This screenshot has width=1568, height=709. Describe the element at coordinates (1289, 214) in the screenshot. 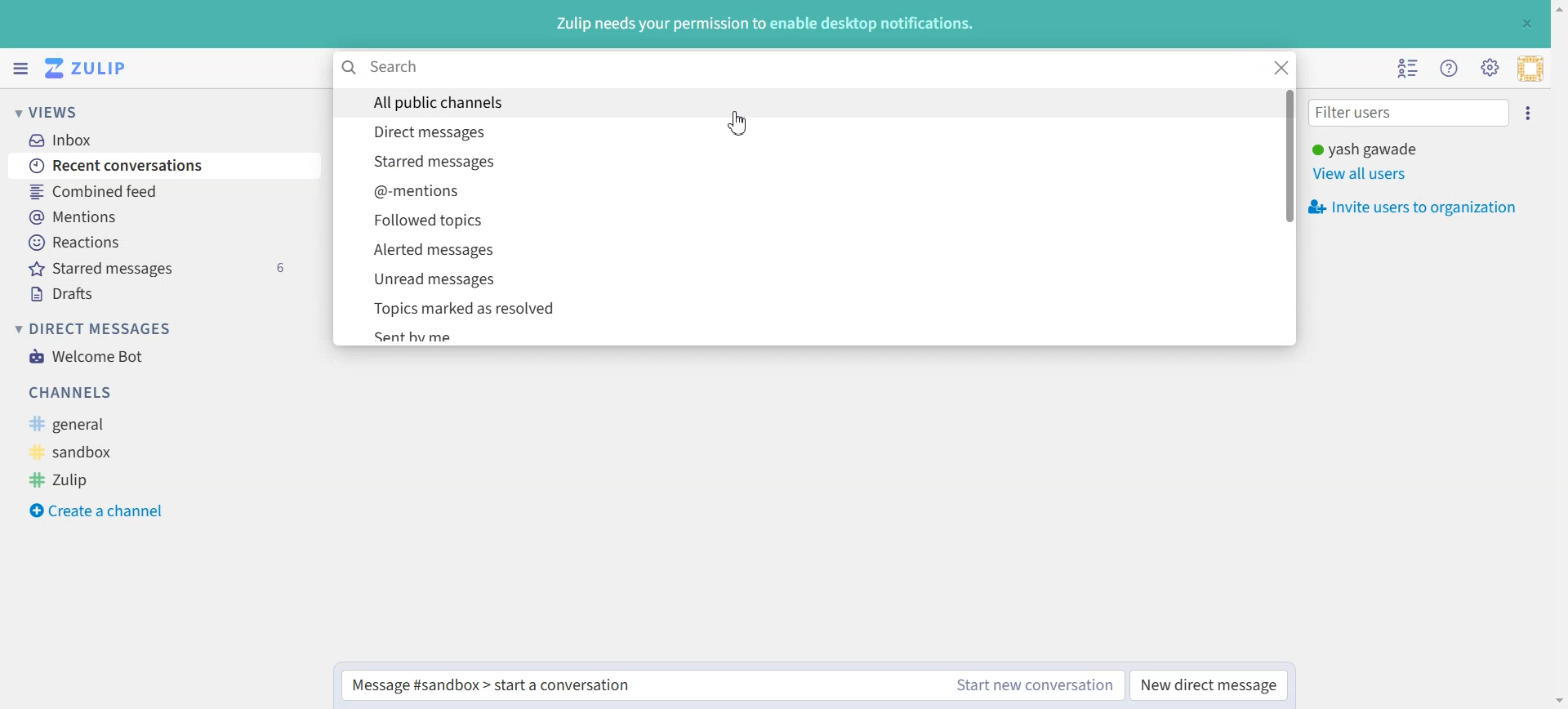

I see `Vertical scroll bar` at that location.